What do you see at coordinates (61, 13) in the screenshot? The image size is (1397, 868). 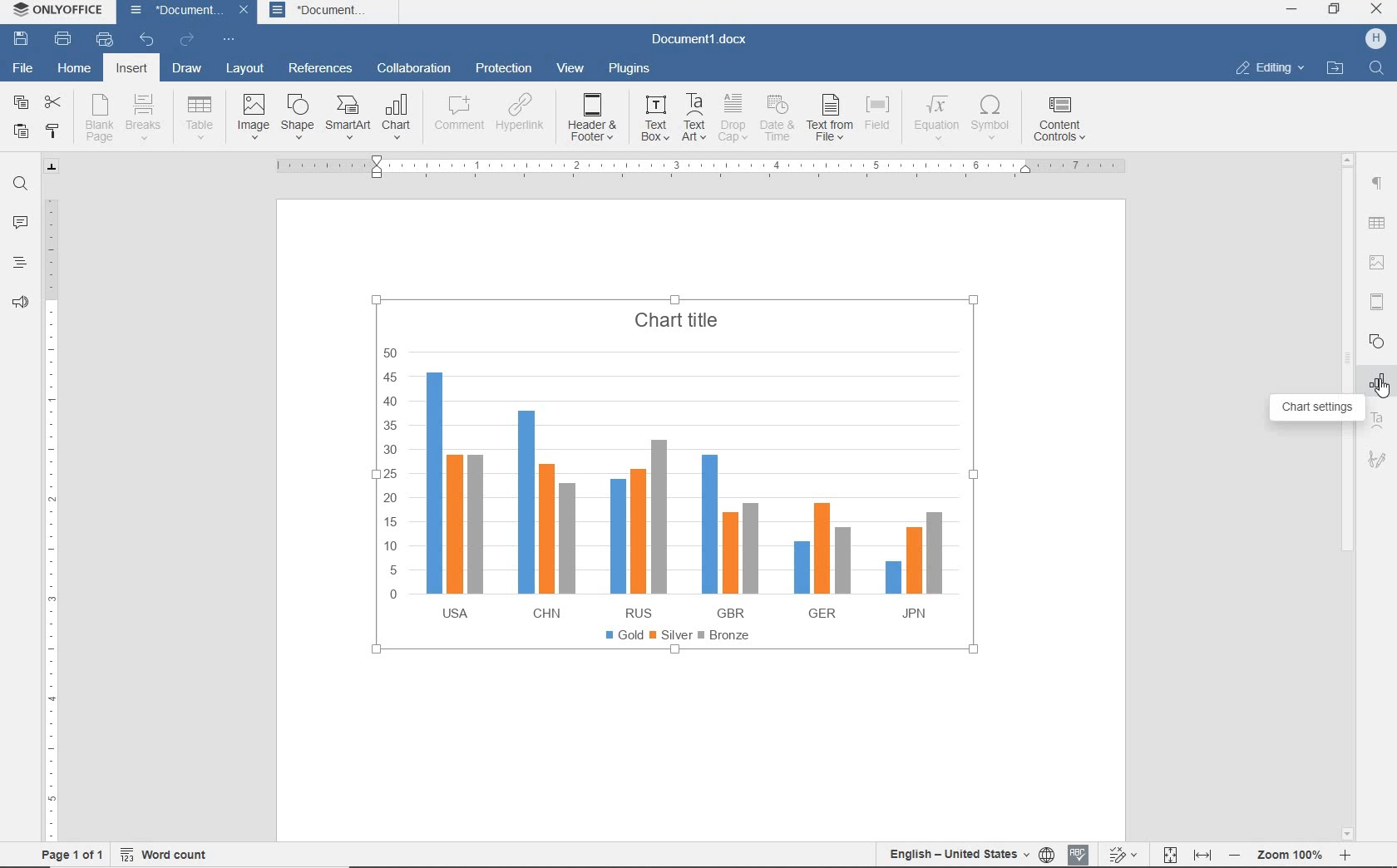 I see `system name` at bounding box center [61, 13].